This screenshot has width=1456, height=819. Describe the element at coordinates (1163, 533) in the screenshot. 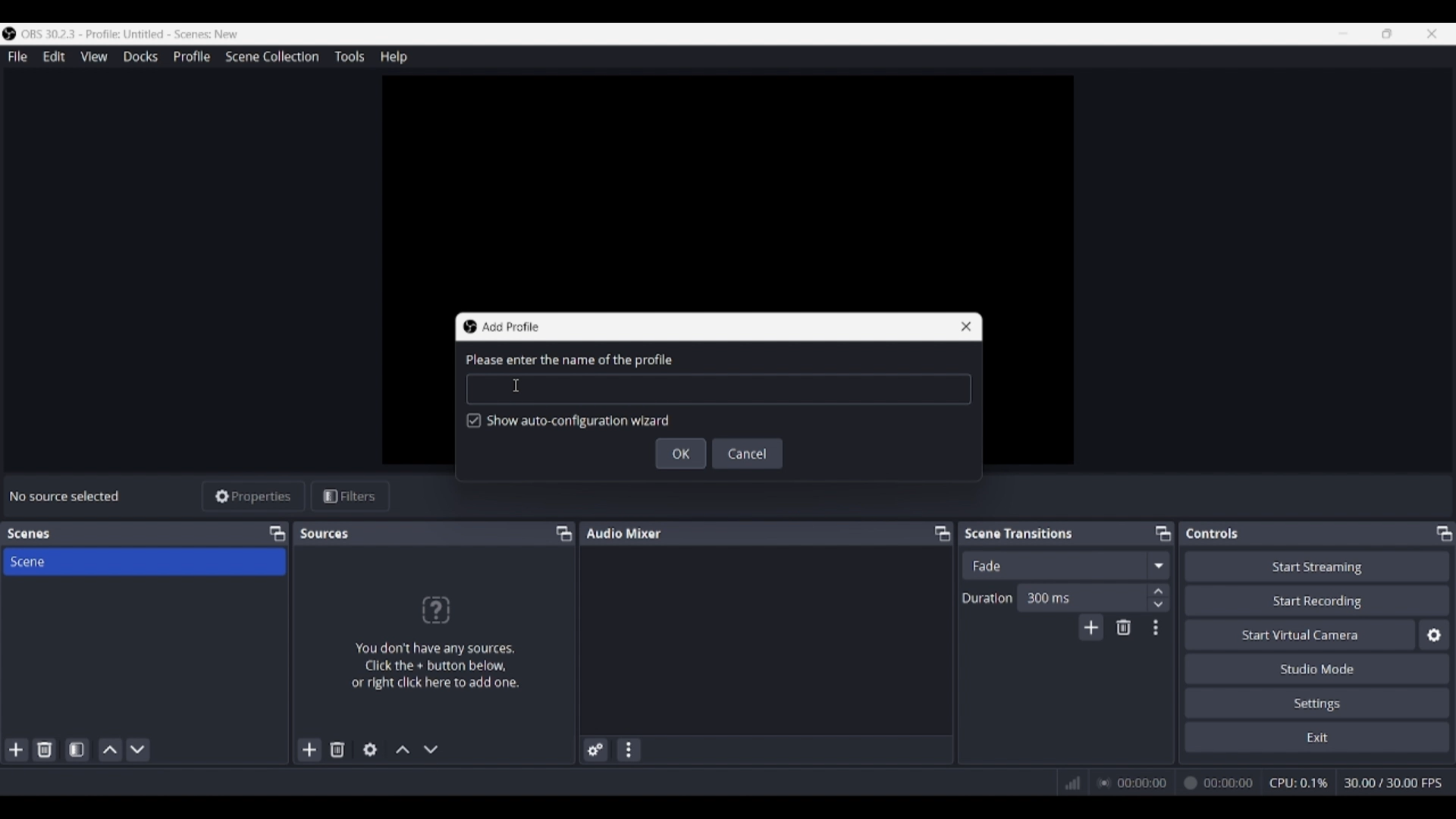

I see `Float Scene transitions panel` at that location.